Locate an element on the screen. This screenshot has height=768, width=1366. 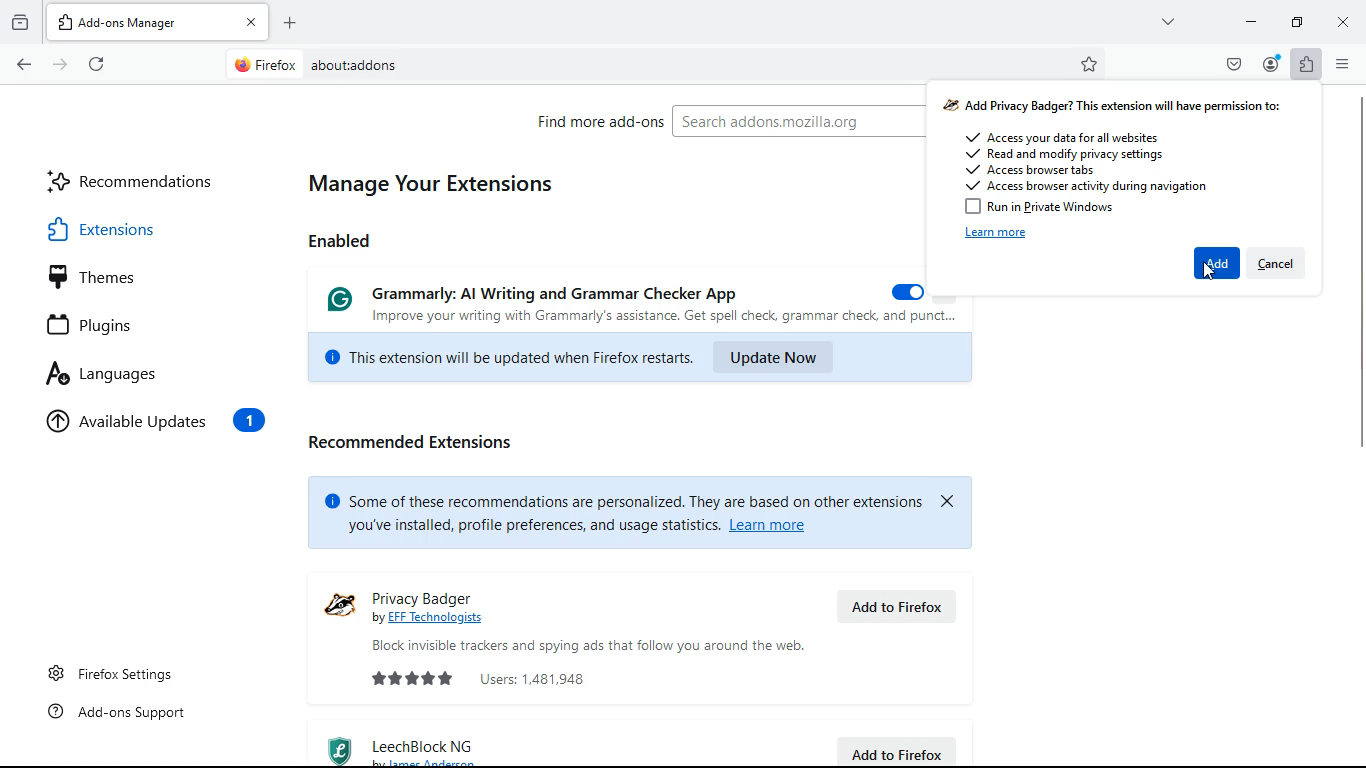
Grammarly logo is located at coordinates (336, 302).